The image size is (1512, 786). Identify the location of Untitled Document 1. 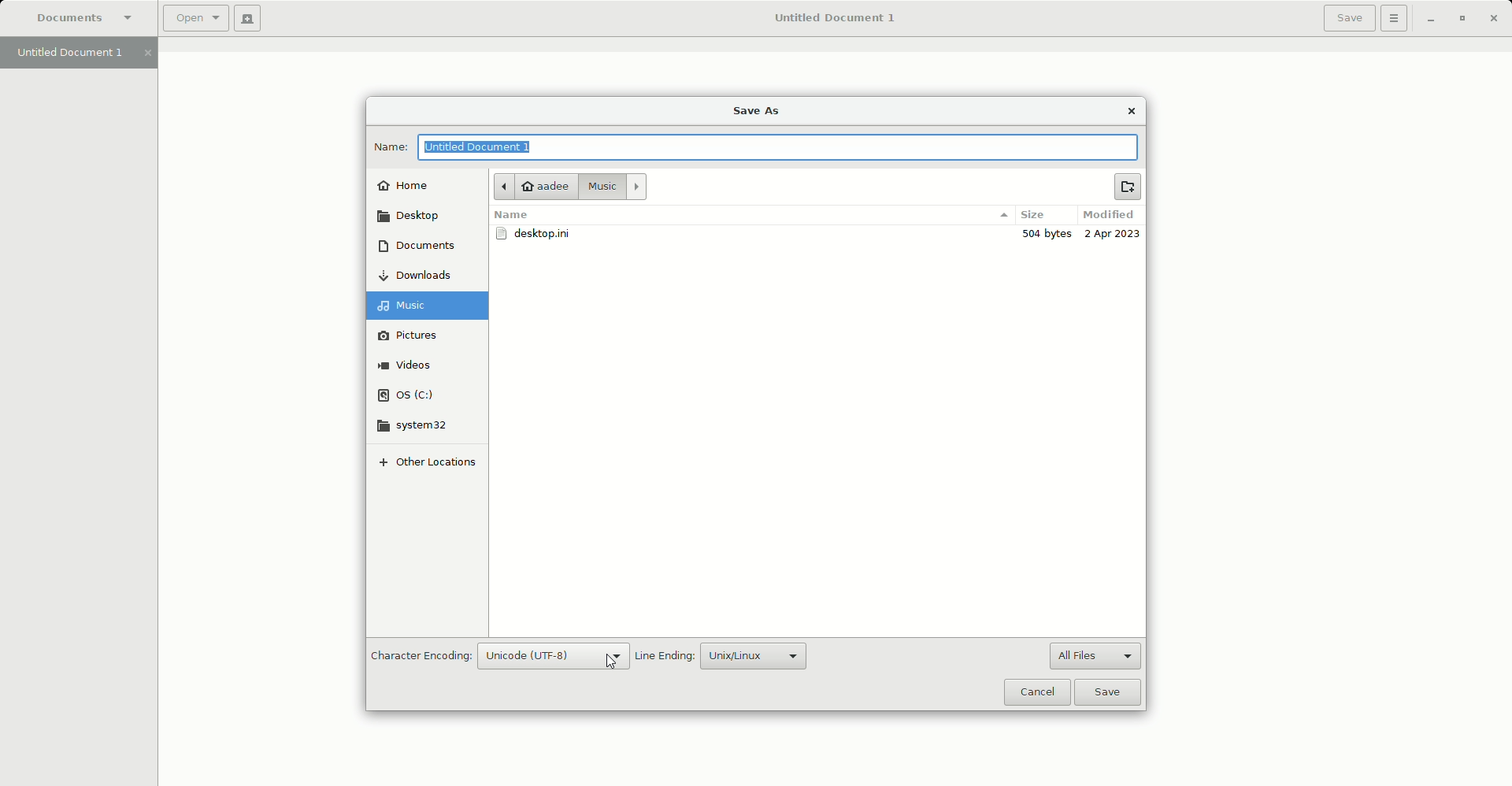
(835, 19).